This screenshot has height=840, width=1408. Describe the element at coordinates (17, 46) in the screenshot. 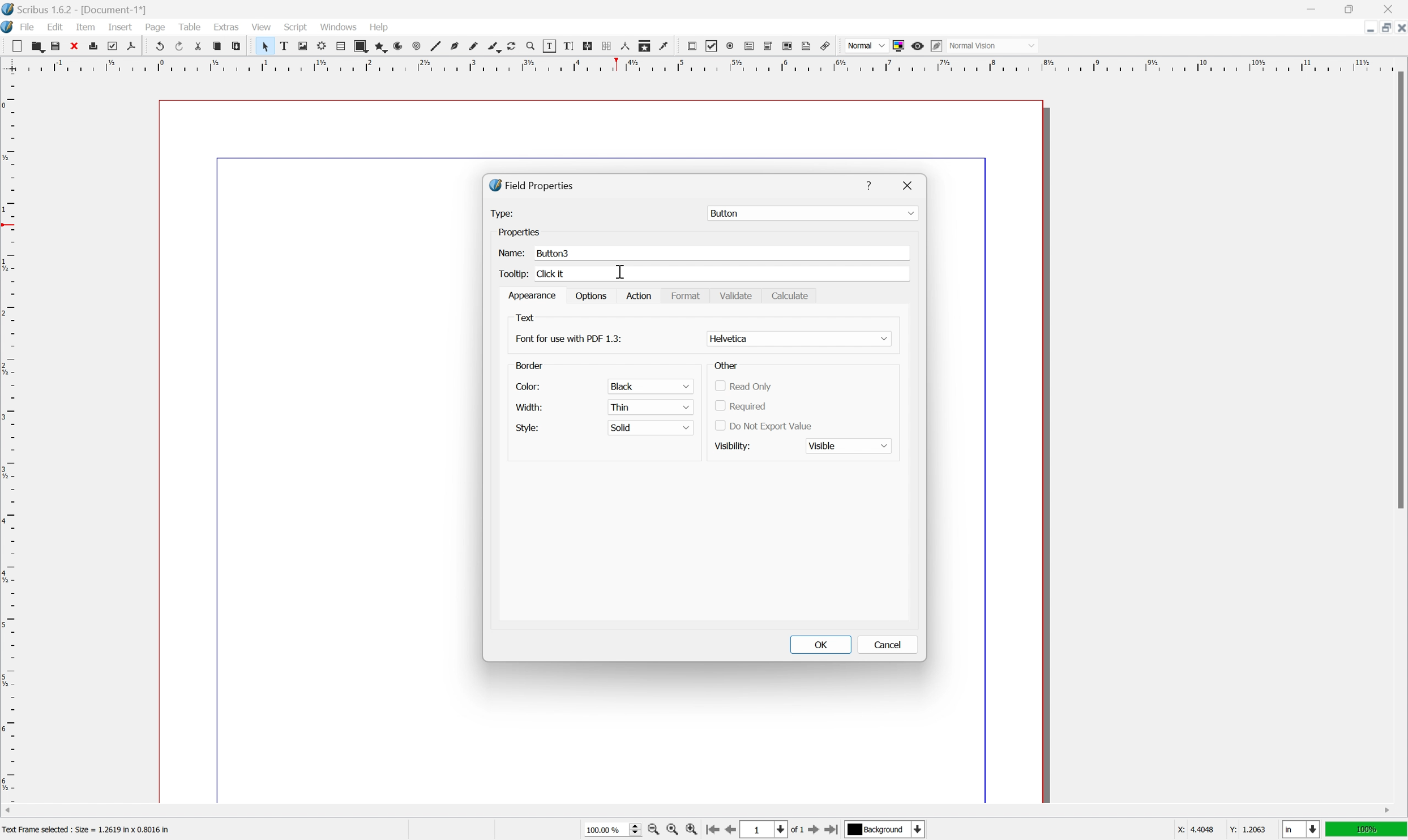

I see `new` at that location.